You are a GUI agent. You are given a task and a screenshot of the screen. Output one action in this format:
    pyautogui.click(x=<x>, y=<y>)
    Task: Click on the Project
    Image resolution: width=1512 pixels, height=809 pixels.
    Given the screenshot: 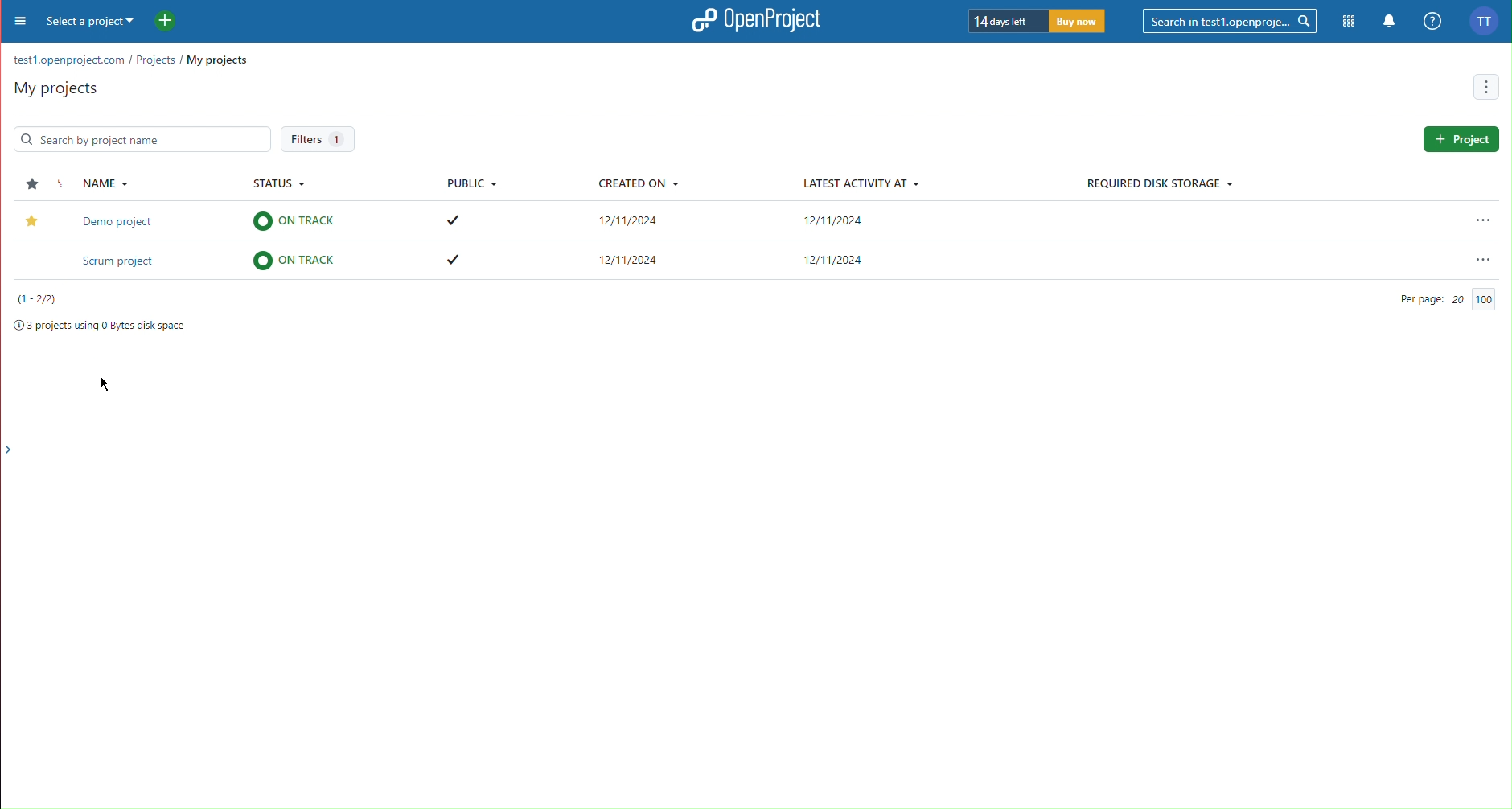 What is the action you would take?
    pyautogui.click(x=1461, y=139)
    